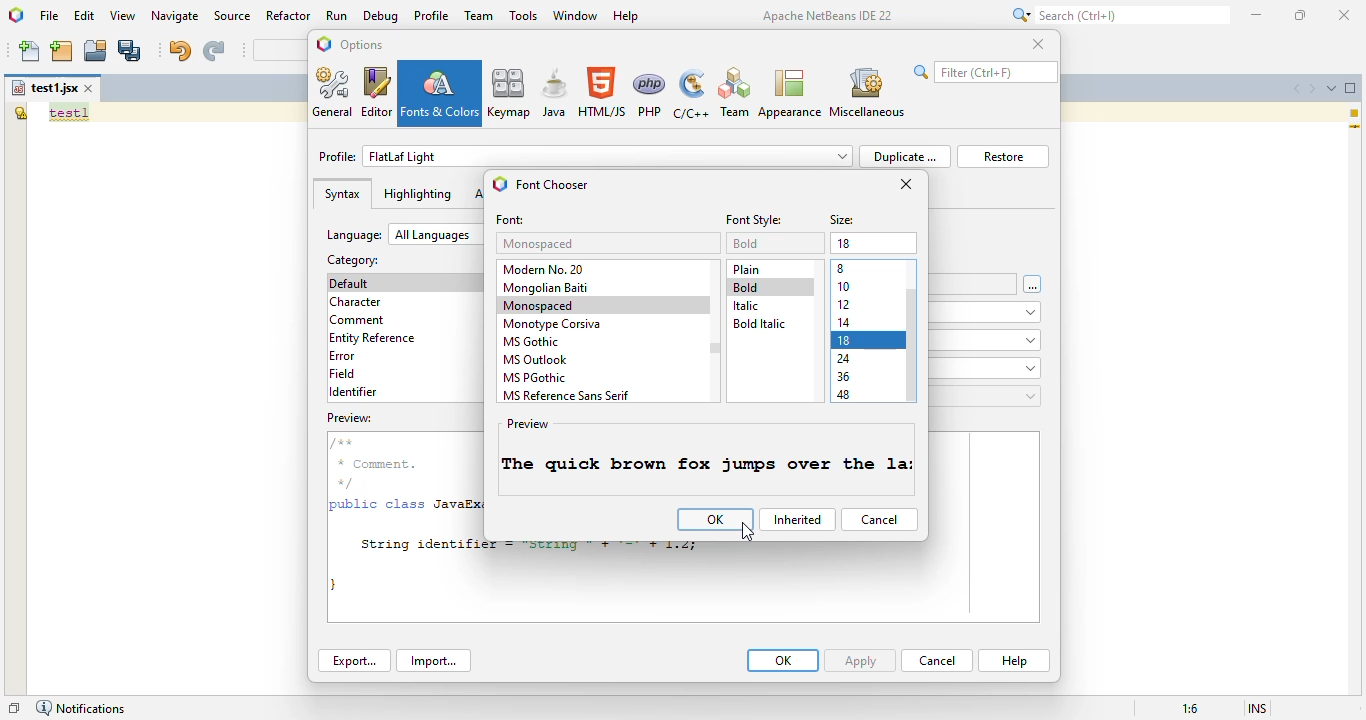 This screenshot has width=1366, height=720. What do you see at coordinates (796, 519) in the screenshot?
I see `inherited` at bounding box center [796, 519].